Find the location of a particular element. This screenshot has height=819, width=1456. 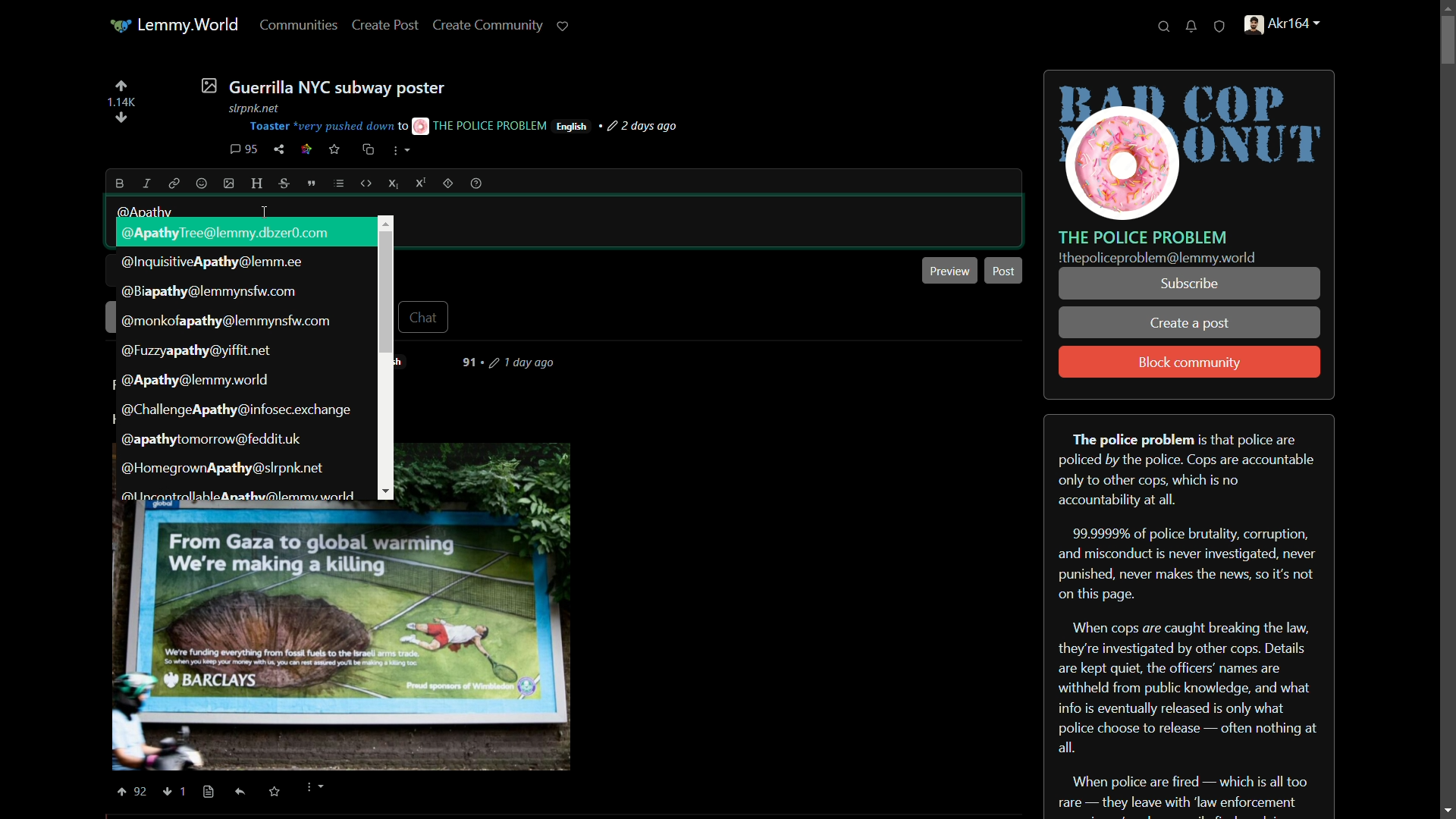

suggestion-4 is located at coordinates (228, 322).